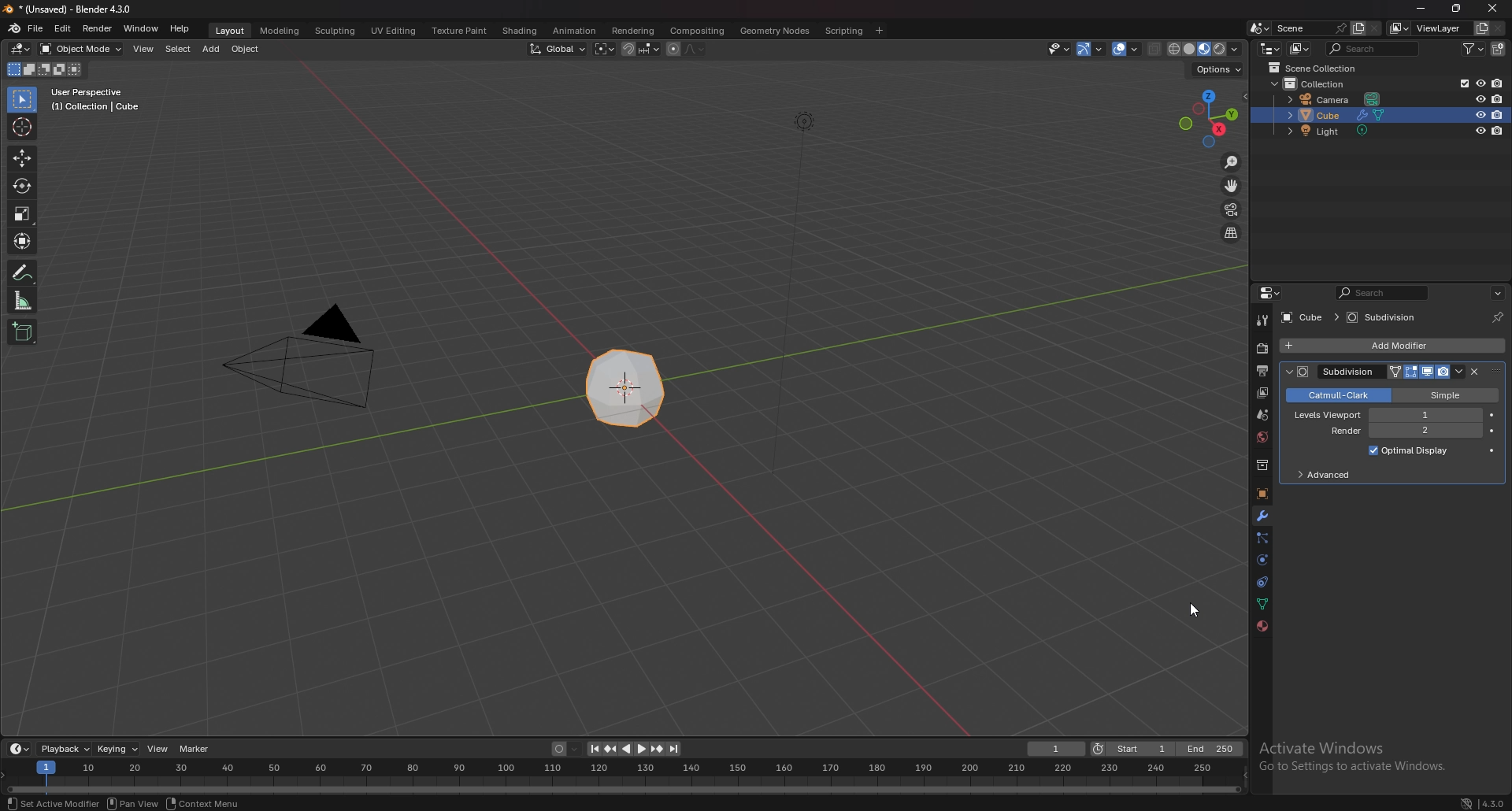 The width and height of the screenshot is (1512, 811). Describe the element at coordinates (1492, 415) in the screenshot. I see `animate property` at that location.